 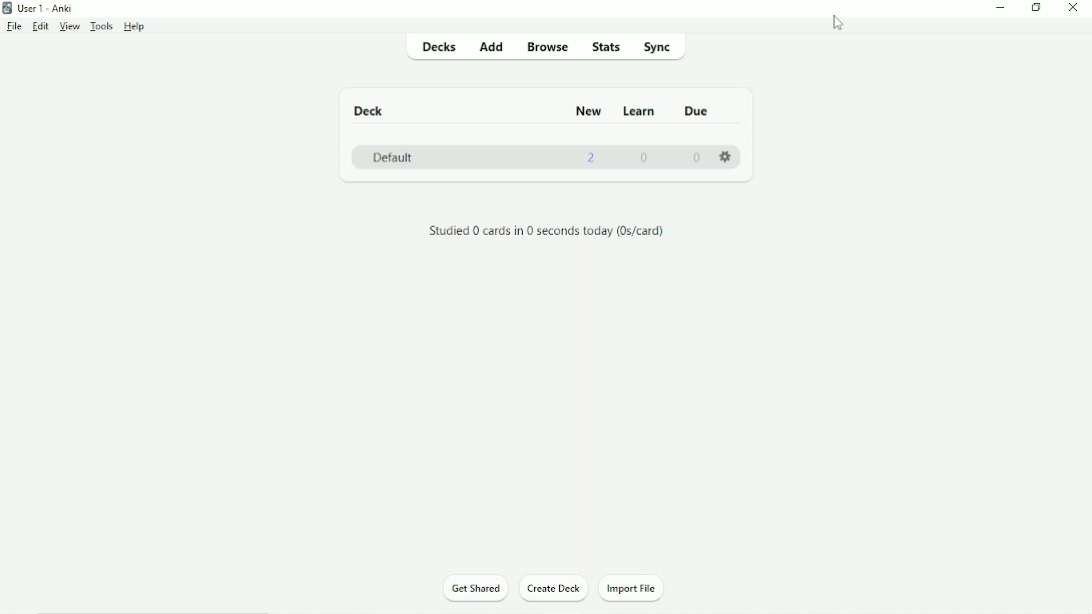 What do you see at coordinates (1036, 8) in the screenshot?
I see `Restore down` at bounding box center [1036, 8].